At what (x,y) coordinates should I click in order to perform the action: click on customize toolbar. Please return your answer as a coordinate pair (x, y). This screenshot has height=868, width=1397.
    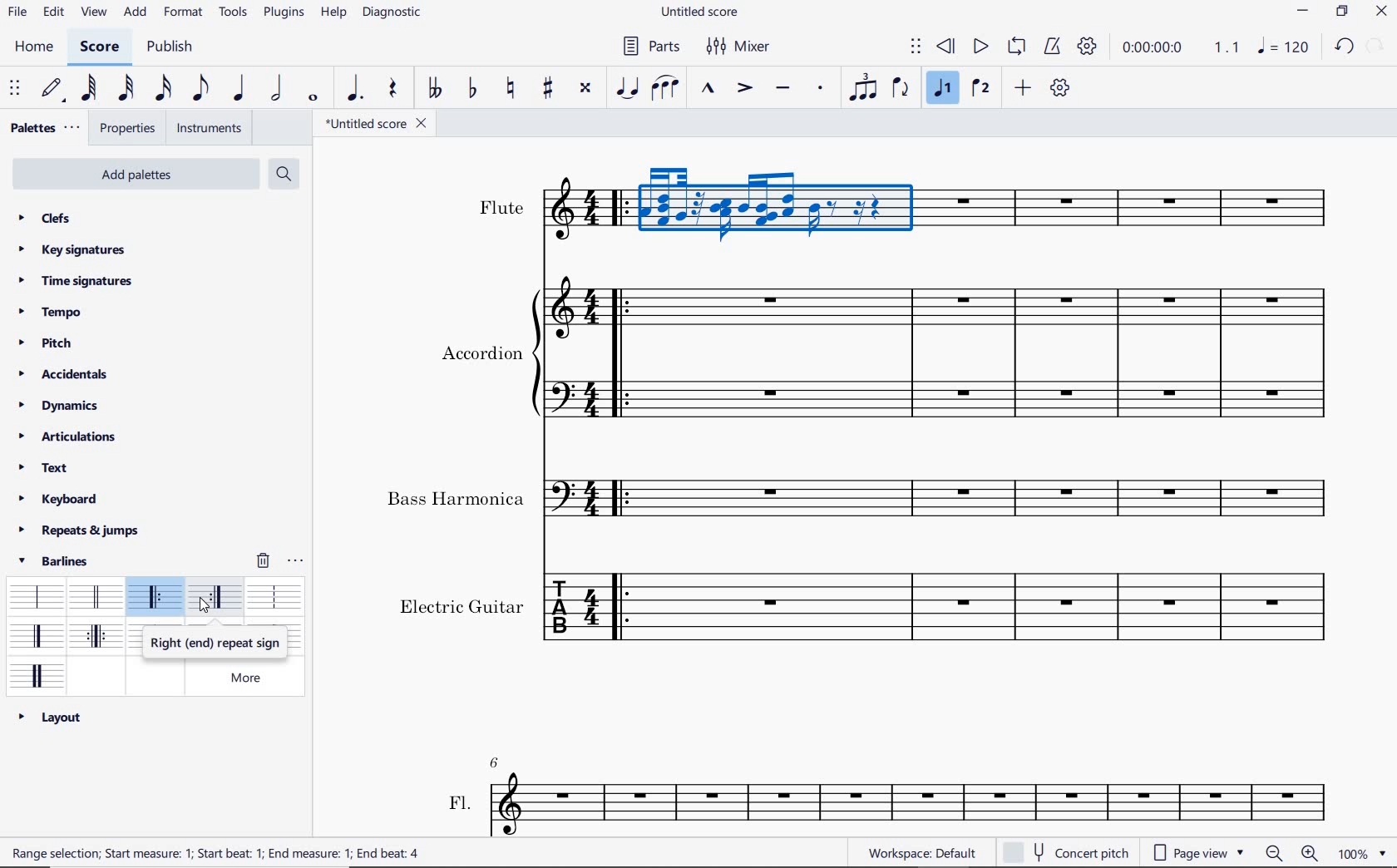
    Looking at the image, I should click on (1061, 87).